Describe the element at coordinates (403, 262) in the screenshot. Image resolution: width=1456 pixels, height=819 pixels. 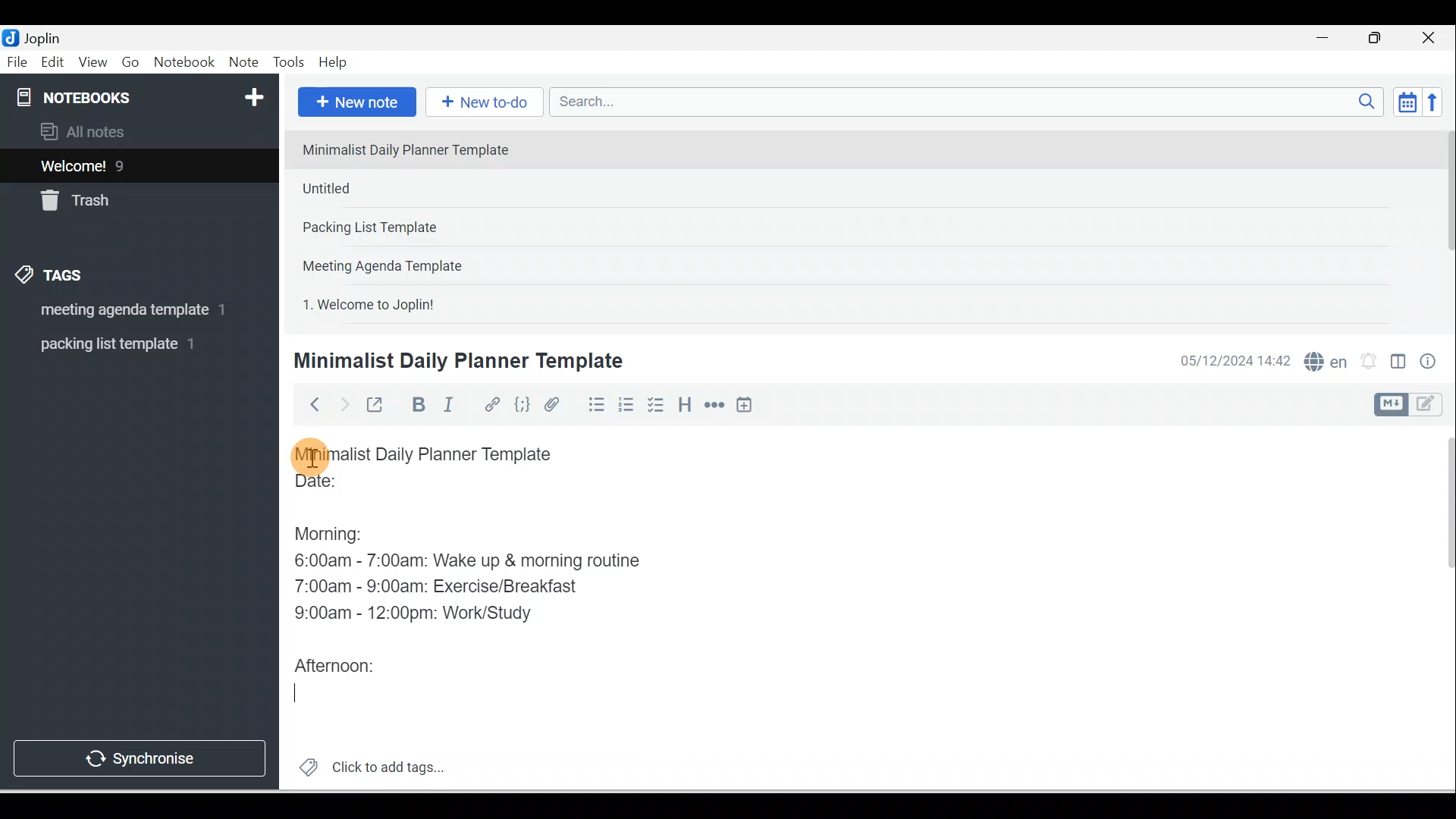
I see `Note 4` at that location.